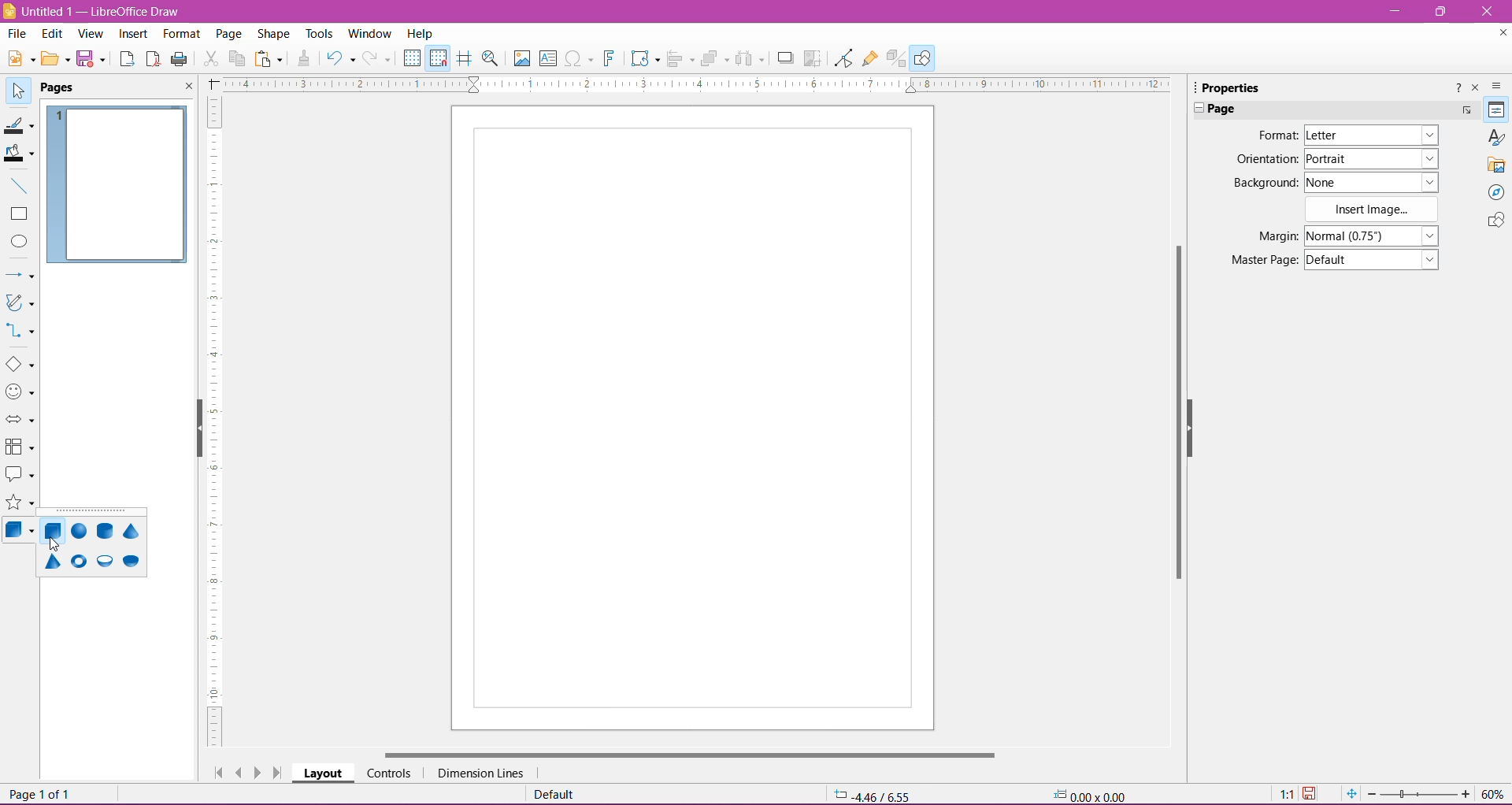 The image size is (1512, 805). Describe the element at coordinates (1494, 794) in the screenshot. I see `Zoom Factor` at that location.